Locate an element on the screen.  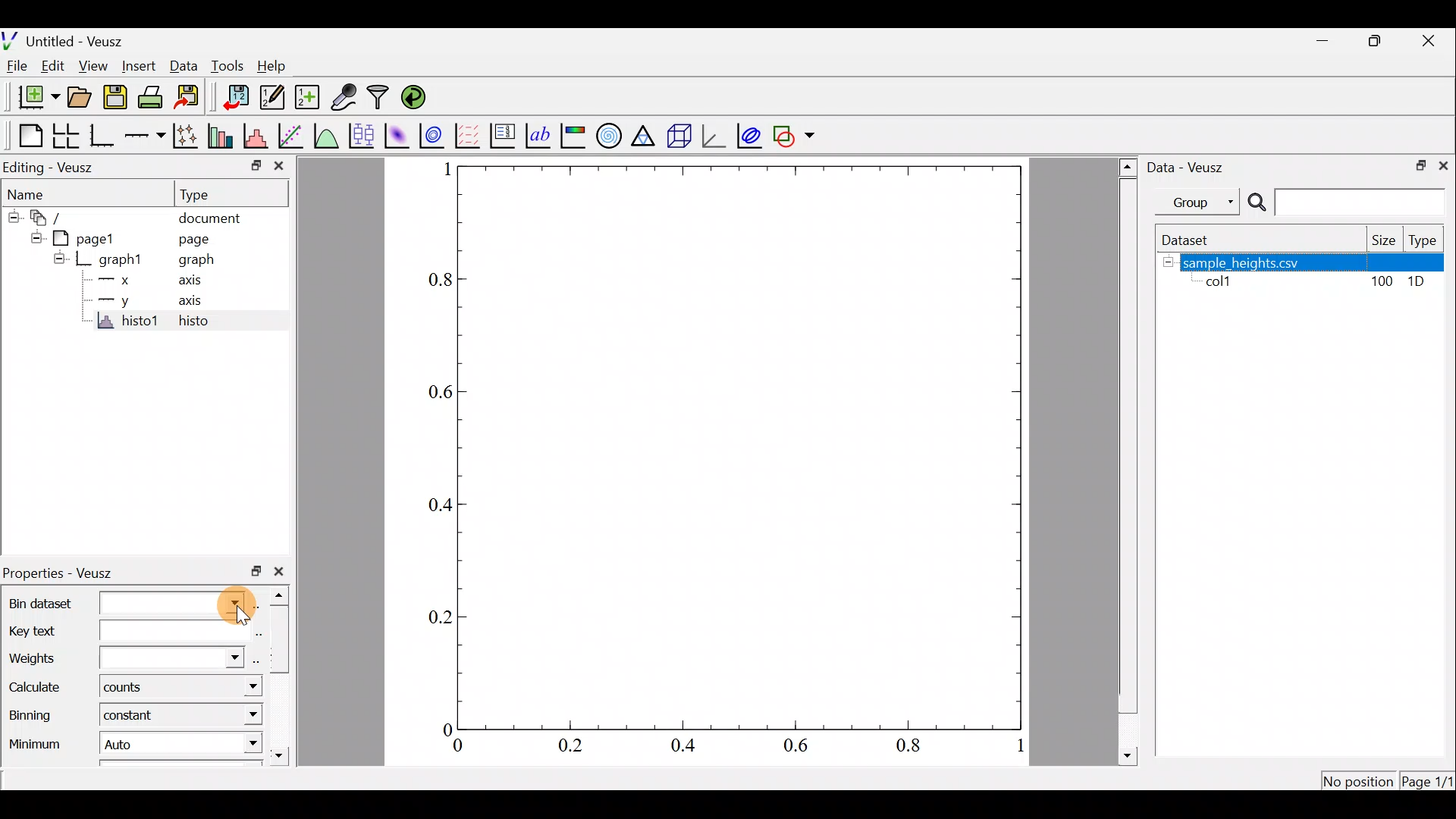
plot key is located at coordinates (505, 134).